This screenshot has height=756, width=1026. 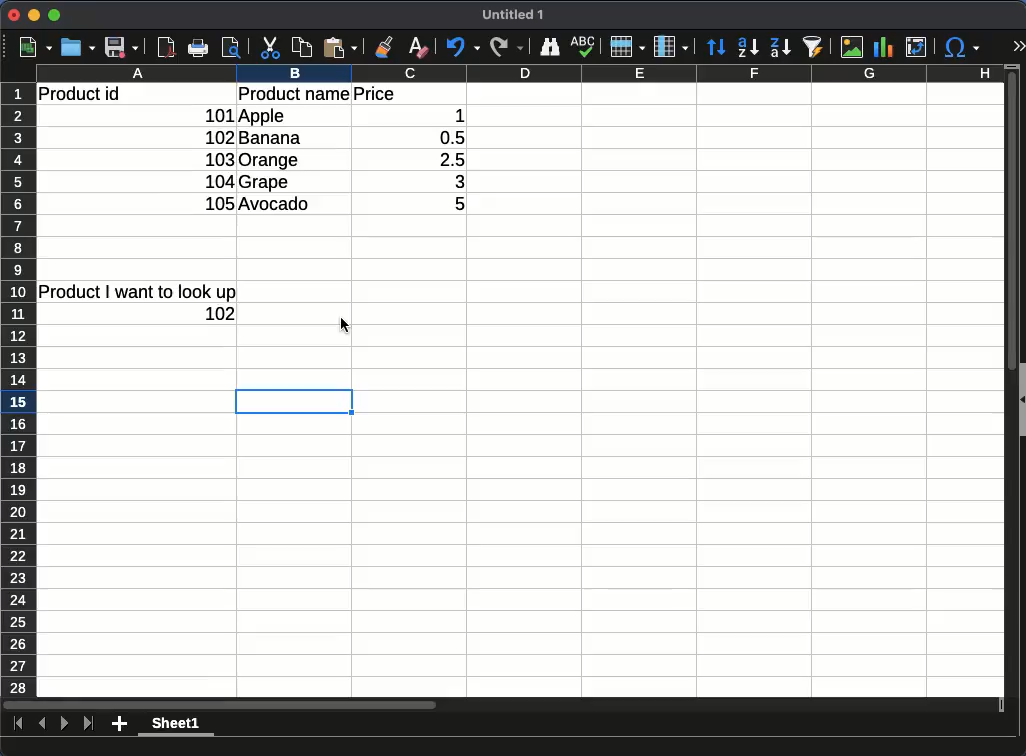 What do you see at coordinates (382, 47) in the screenshot?
I see `clone formatting` at bounding box center [382, 47].